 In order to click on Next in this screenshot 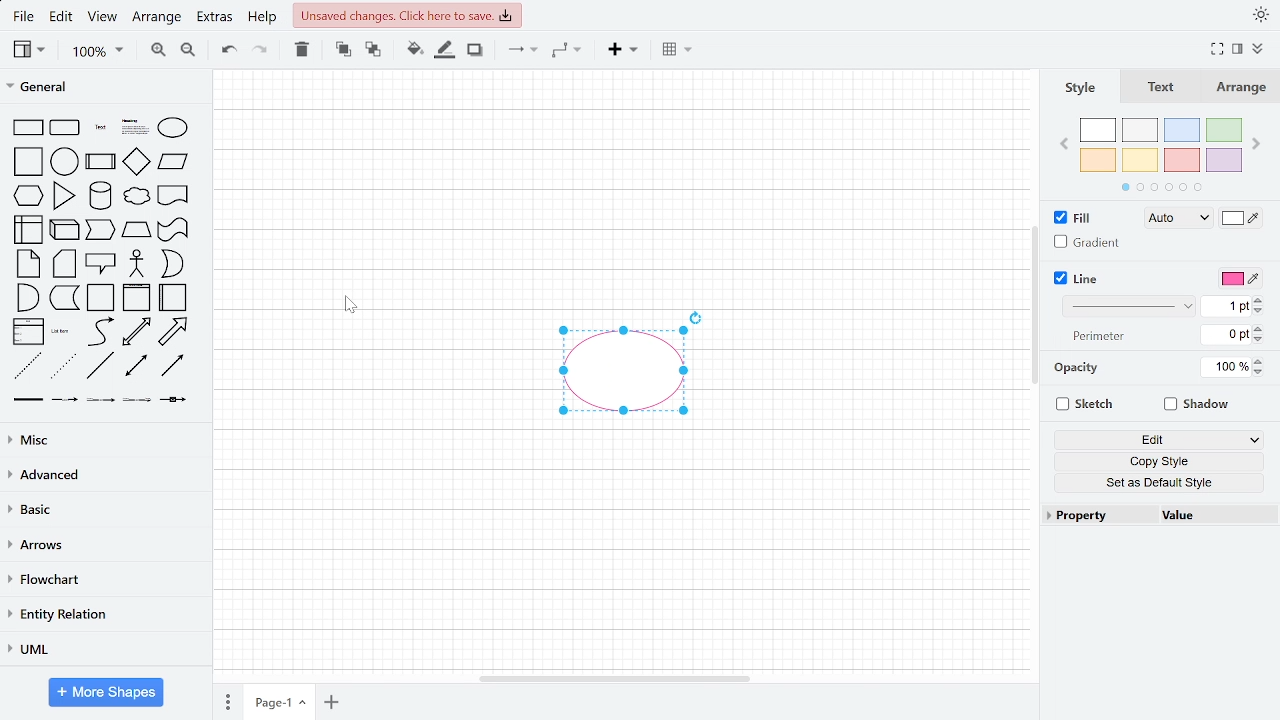, I will do `click(1258, 145)`.